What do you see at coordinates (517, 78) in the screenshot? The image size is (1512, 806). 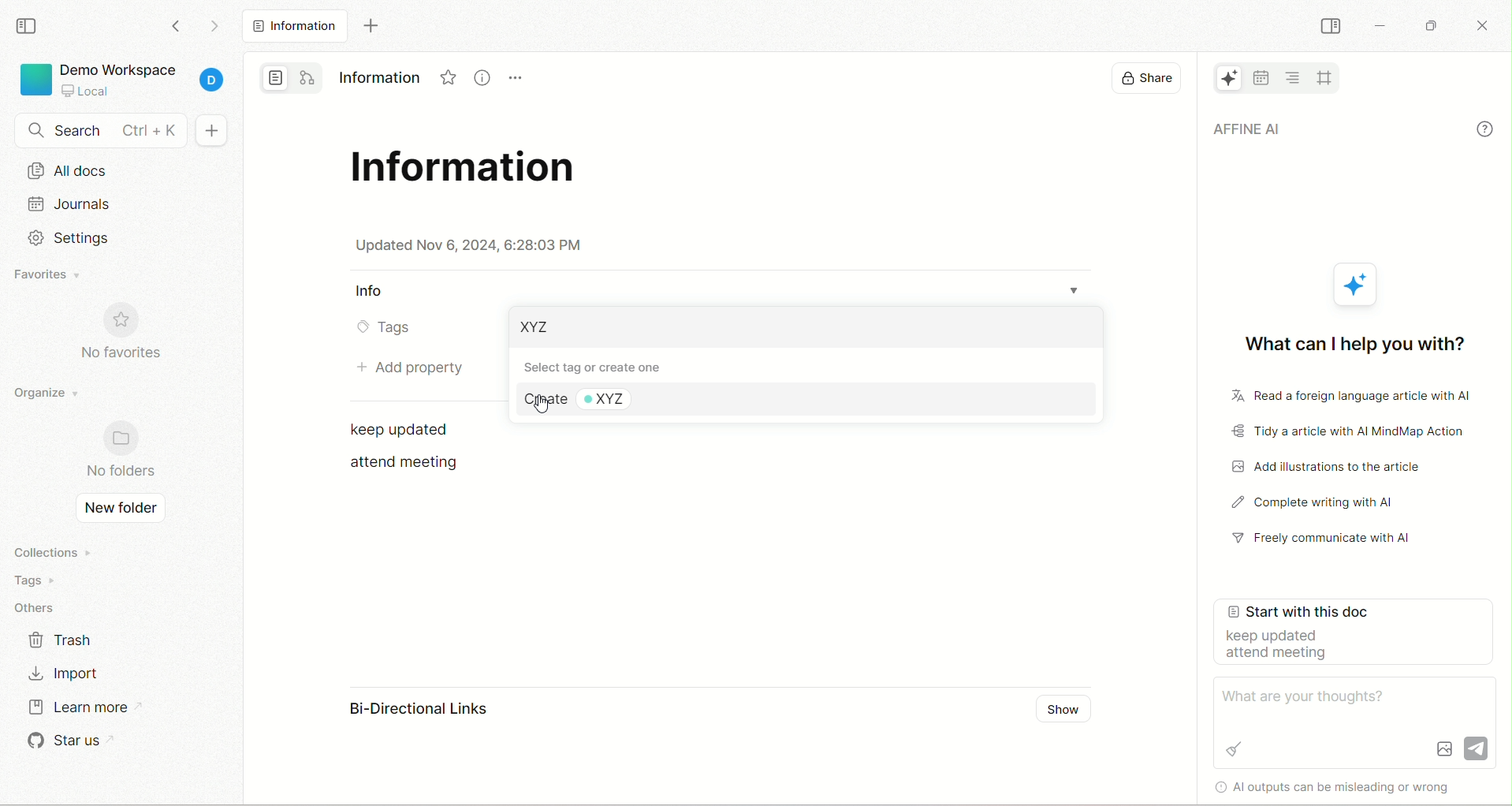 I see `Menu icon` at bounding box center [517, 78].